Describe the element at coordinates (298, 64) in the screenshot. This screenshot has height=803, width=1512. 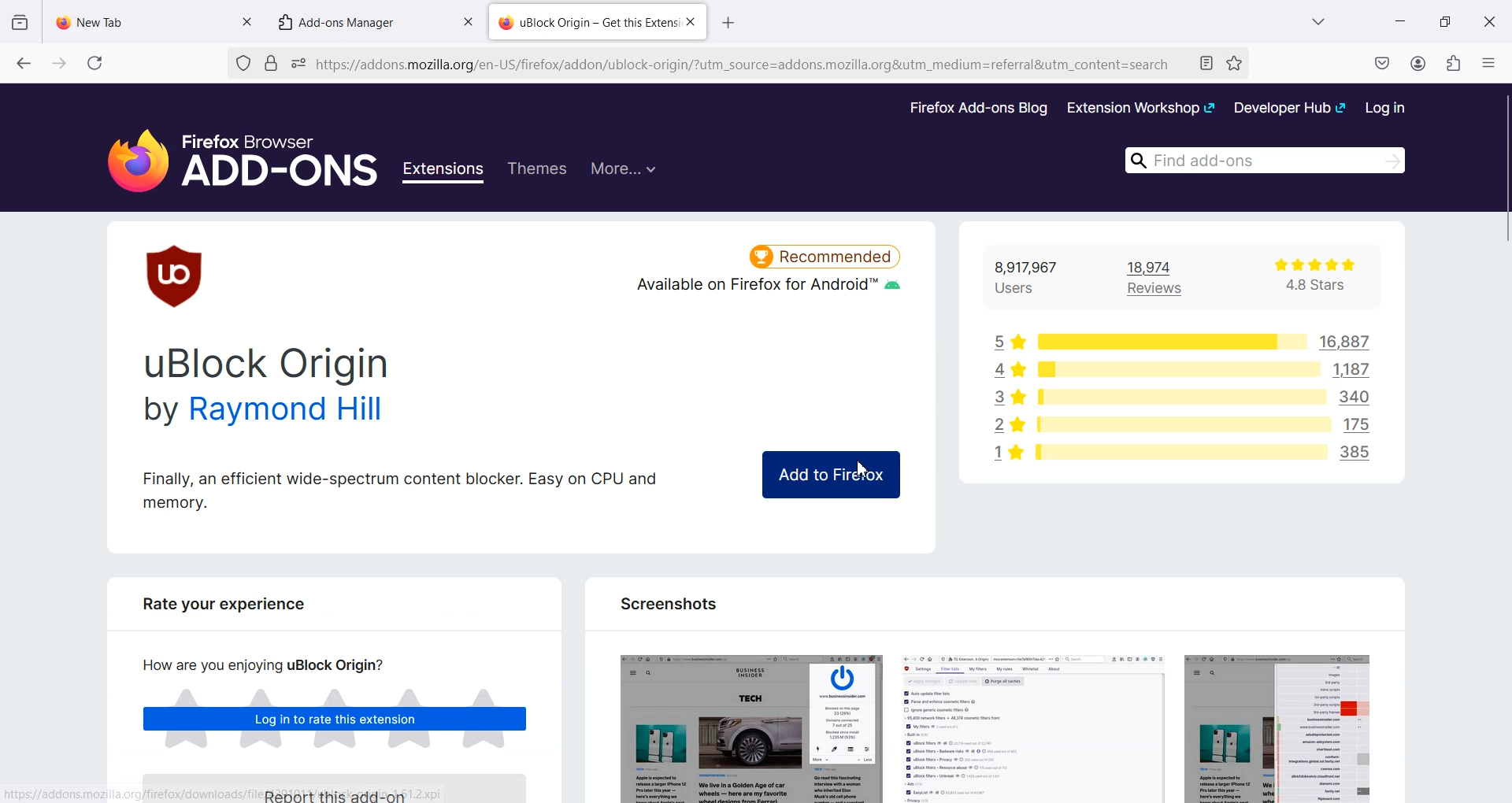
I see `You have granted this website` at that location.